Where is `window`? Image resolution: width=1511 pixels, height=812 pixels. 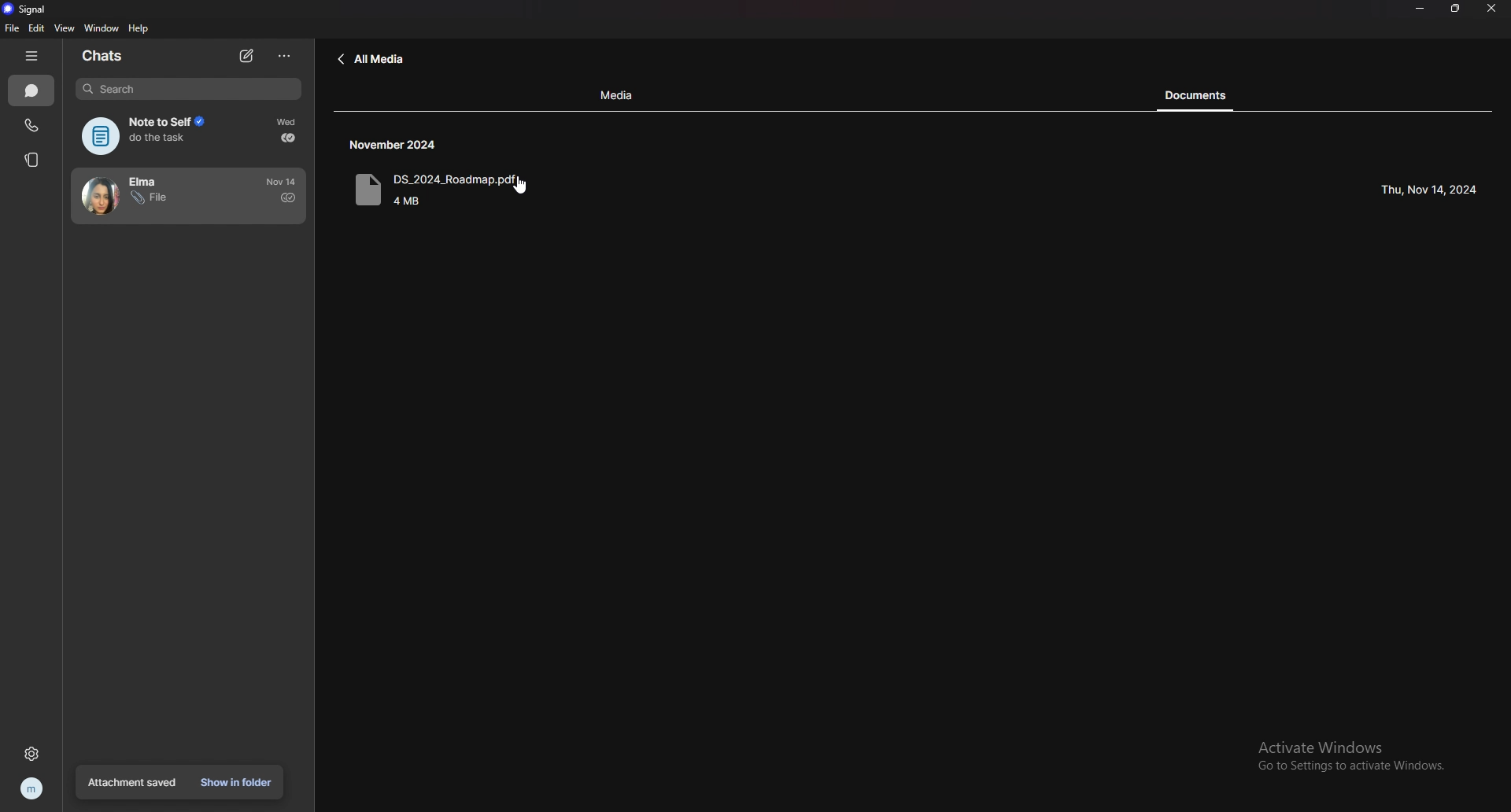
window is located at coordinates (101, 28).